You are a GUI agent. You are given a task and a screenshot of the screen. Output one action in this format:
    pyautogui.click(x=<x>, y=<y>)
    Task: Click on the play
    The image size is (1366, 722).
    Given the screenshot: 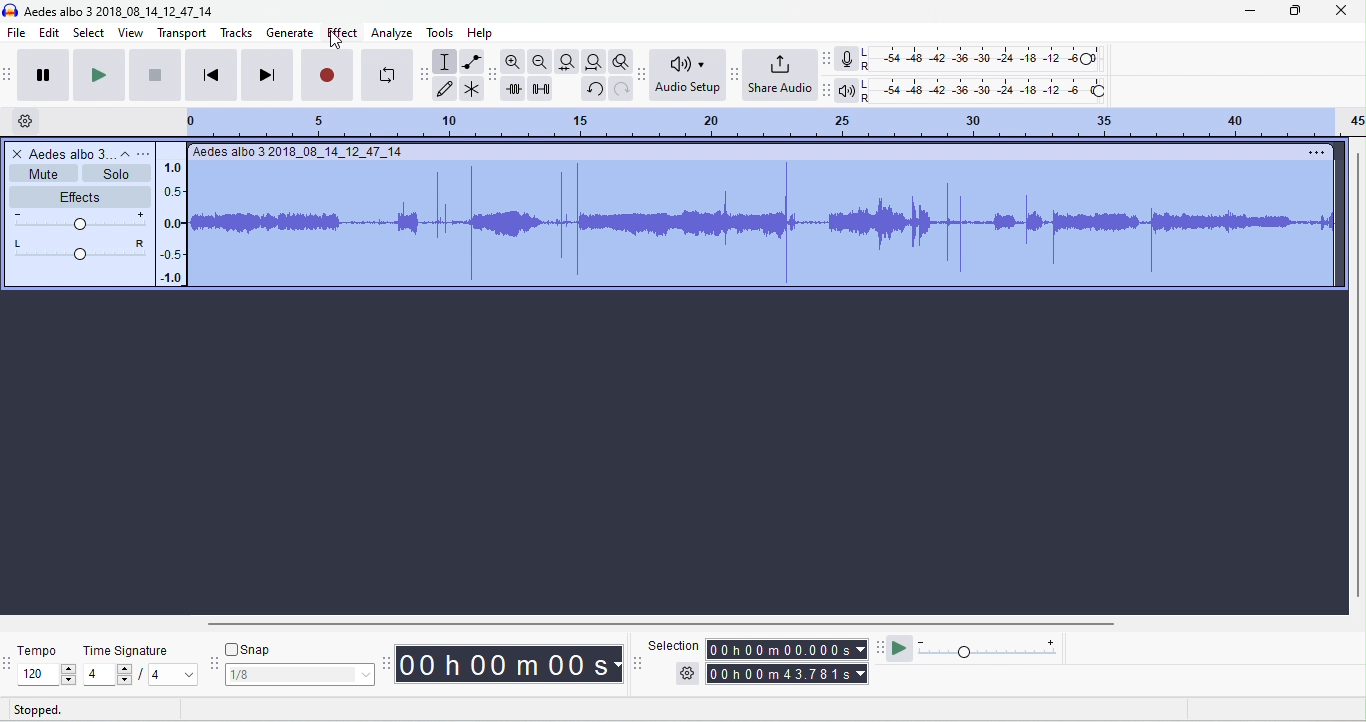 What is the action you would take?
    pyautogui.click(x=98, y=73)
    